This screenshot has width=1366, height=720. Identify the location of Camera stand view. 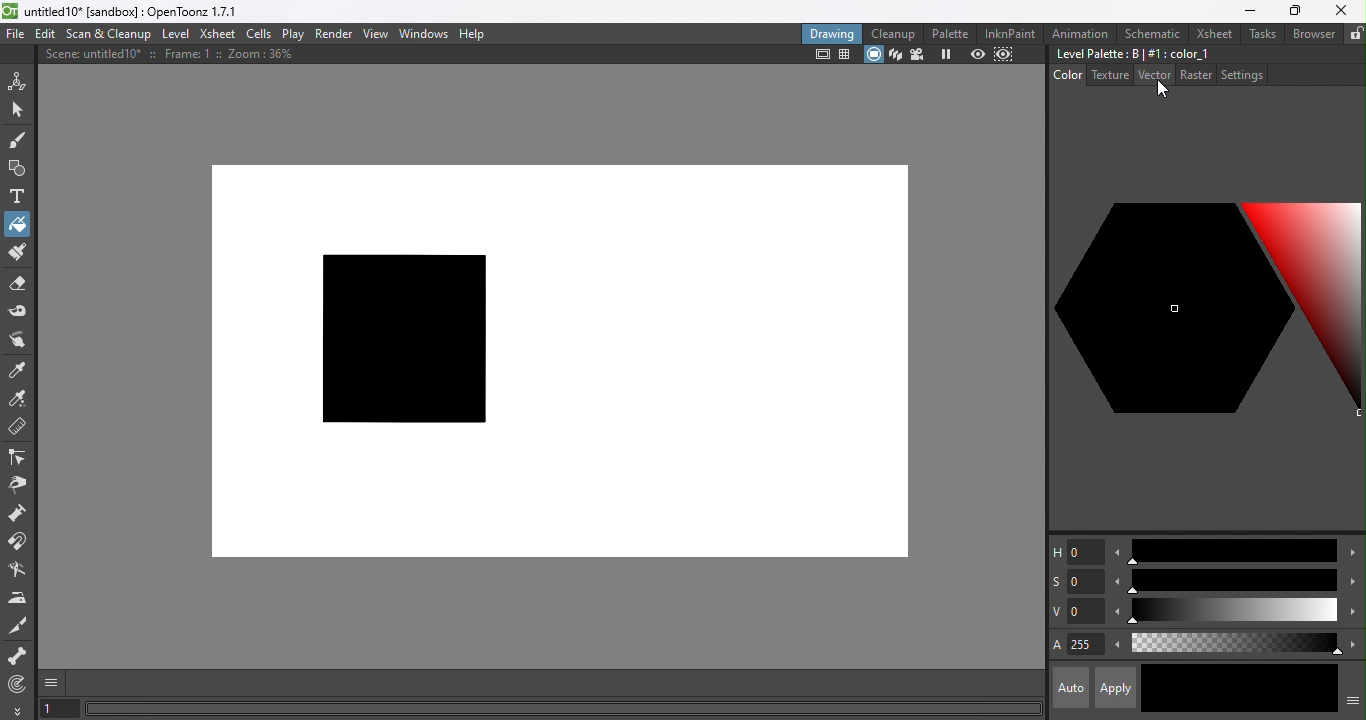
(873, 55).